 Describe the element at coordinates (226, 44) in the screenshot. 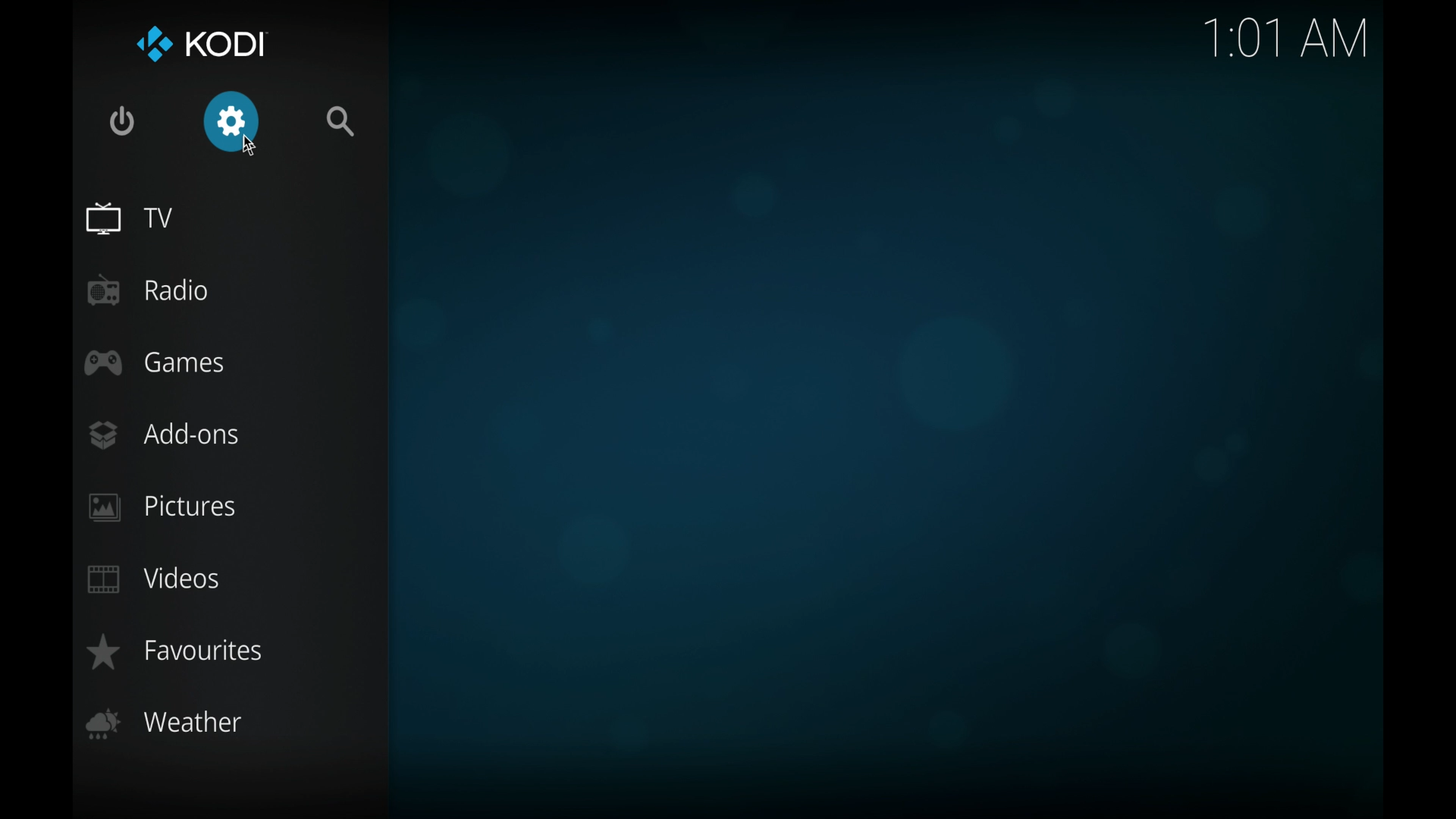

I see `kodi` at that location.